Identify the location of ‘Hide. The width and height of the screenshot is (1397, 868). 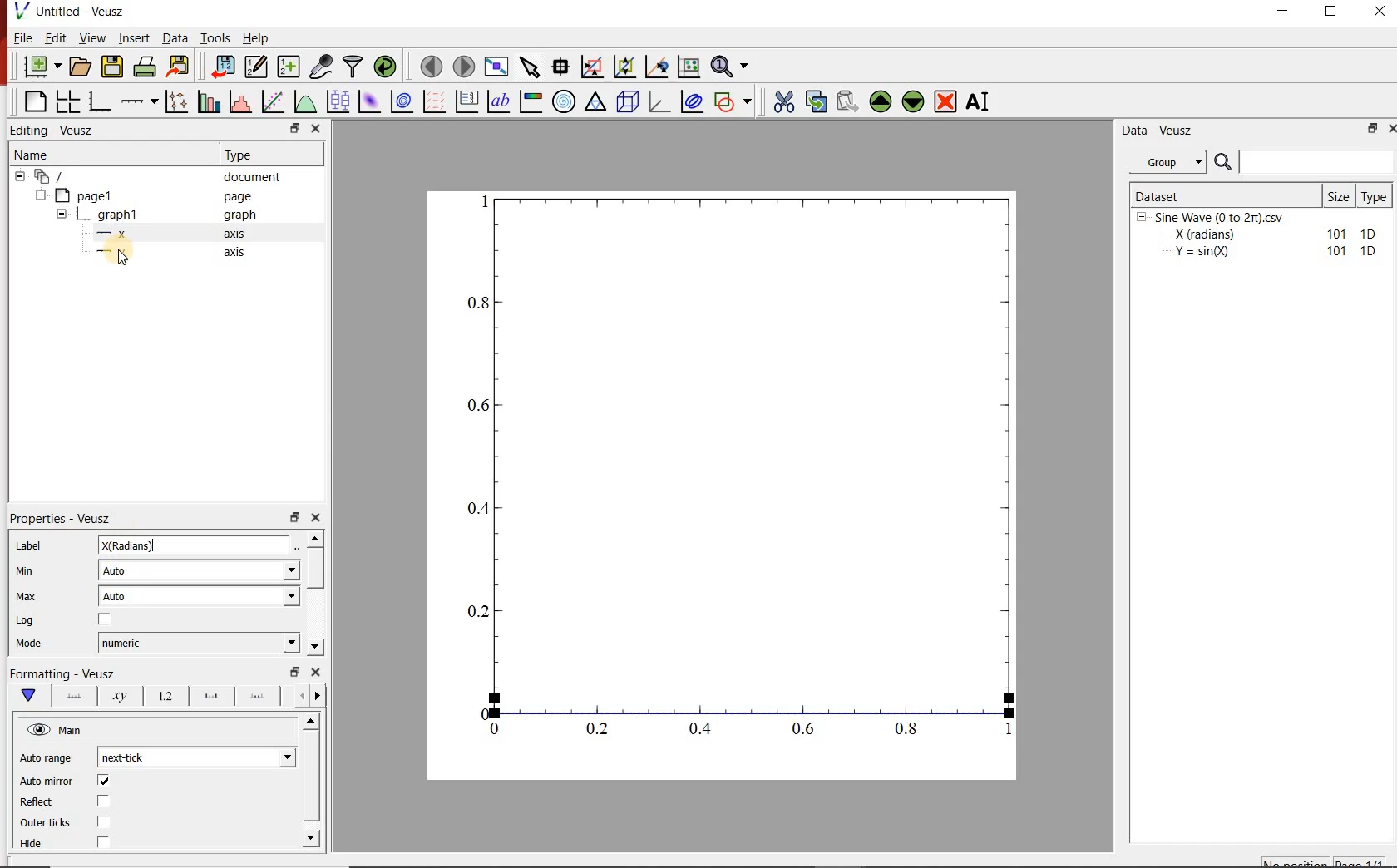
(32, 845).